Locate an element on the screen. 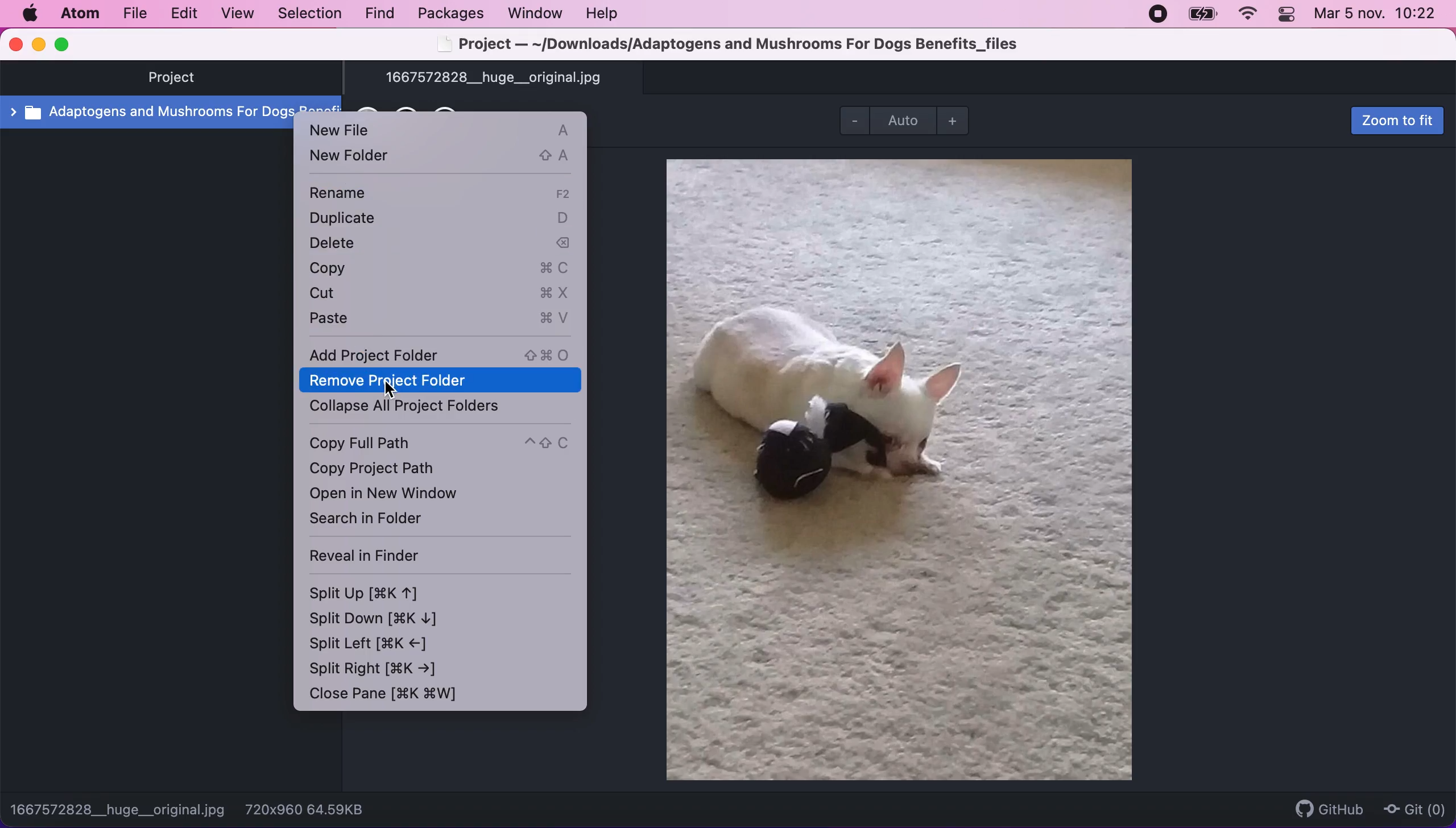  minimize is located at coordinates (38, 46).